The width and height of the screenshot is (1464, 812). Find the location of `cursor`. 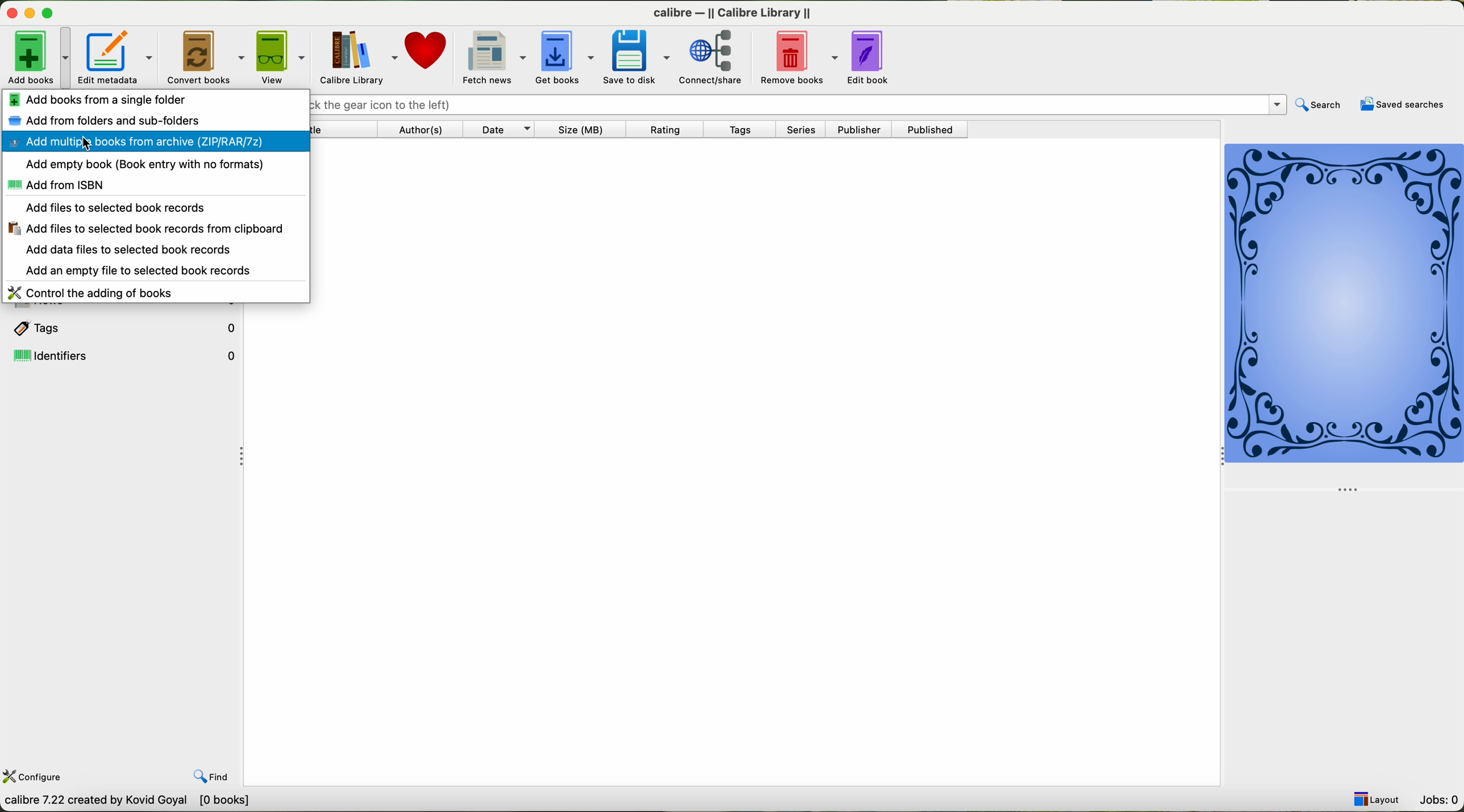

cursor is located at coordinates (86, 143).